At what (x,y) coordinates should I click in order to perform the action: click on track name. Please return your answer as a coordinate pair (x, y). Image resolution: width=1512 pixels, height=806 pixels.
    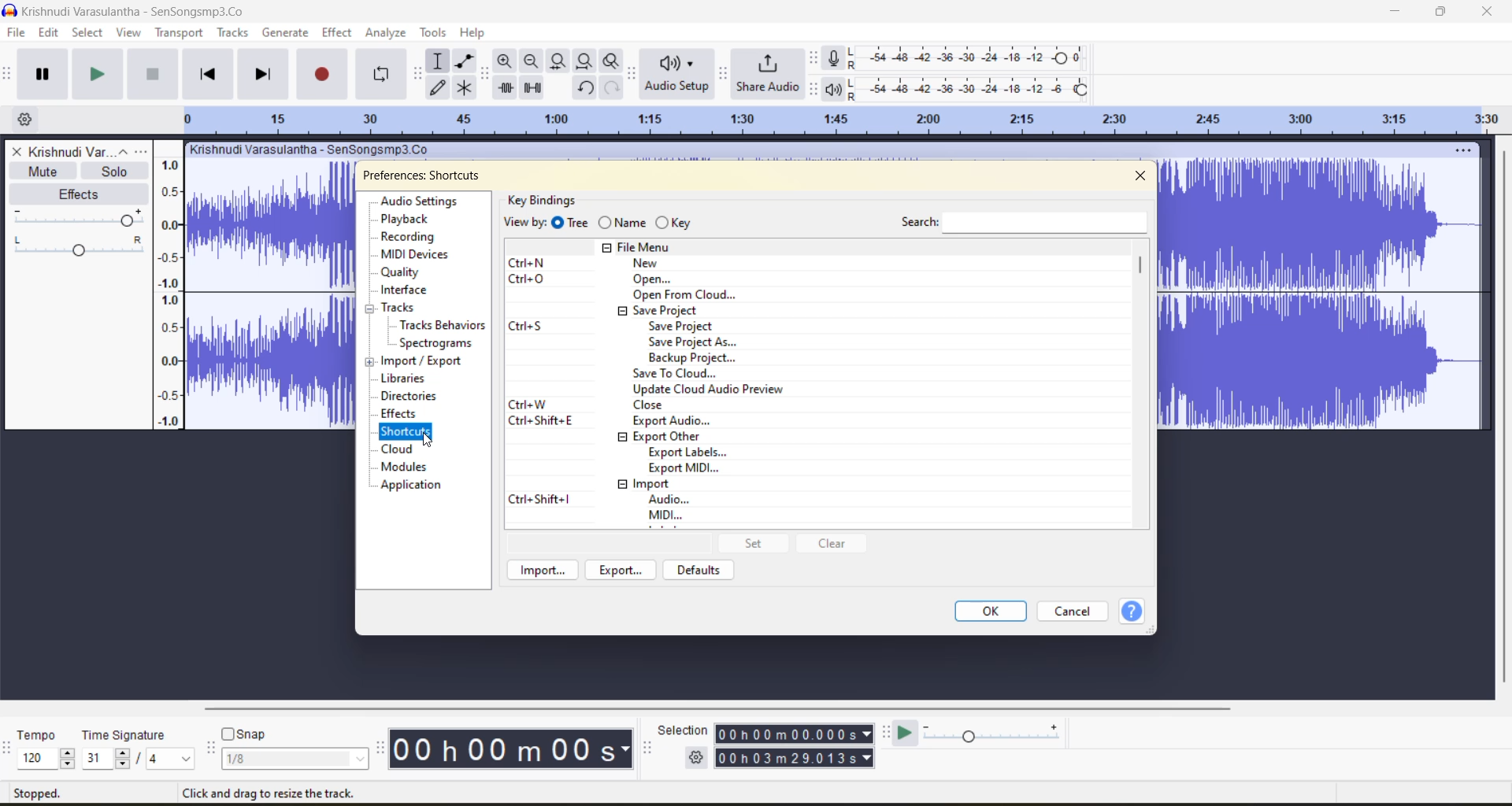
    Looking at the image, I should click on (312, 151).